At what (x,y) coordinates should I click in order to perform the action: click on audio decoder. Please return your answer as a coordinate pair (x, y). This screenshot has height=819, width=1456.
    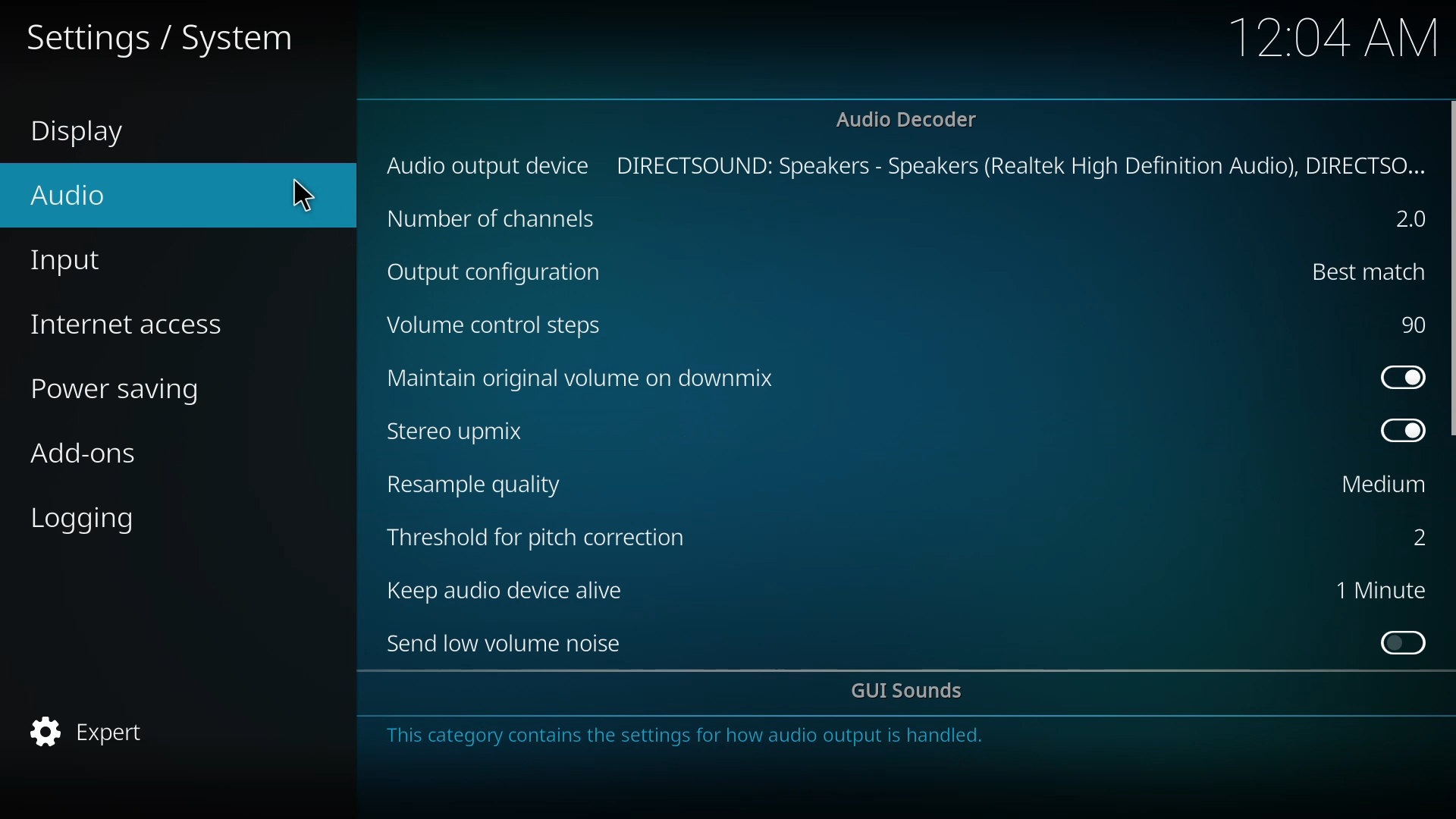
    Looking at the image, I should click on (912, 118).